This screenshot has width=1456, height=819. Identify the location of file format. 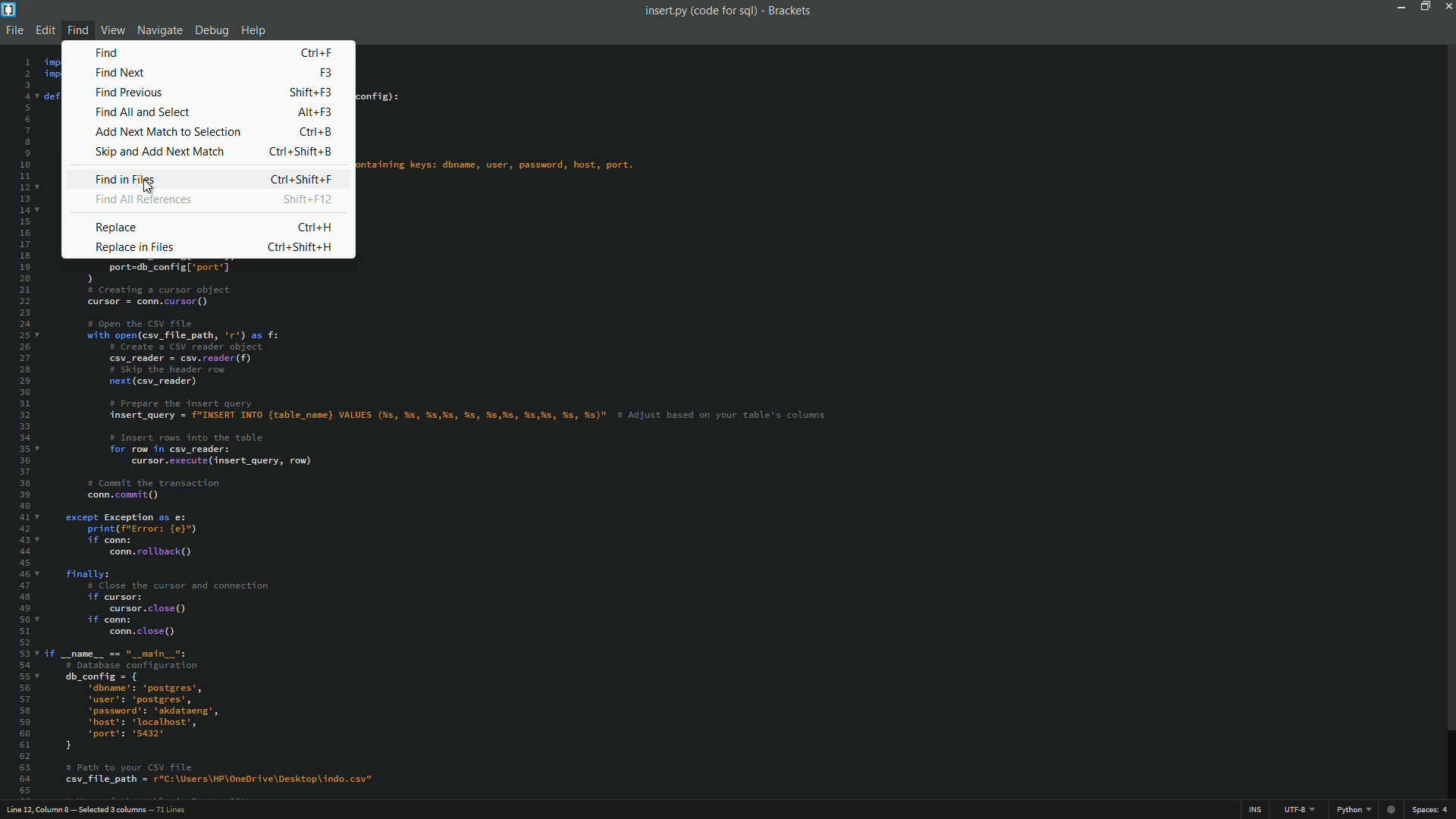
(1357, 811).